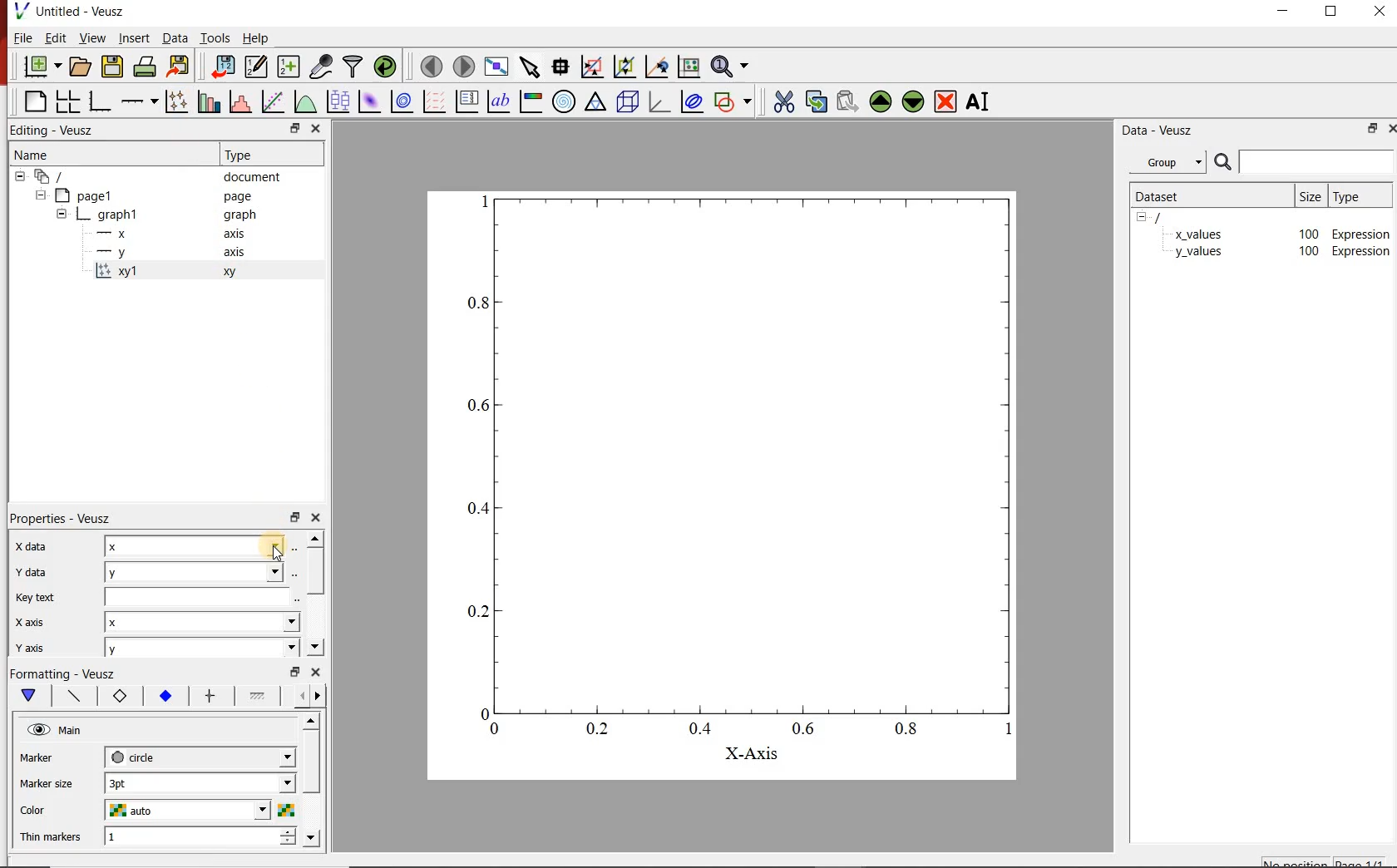 This screenshot has width=1397, height=868. What do you see at coordinates (260, 37) in the screenshot?
I see `help` at bounding box center [260, 37].